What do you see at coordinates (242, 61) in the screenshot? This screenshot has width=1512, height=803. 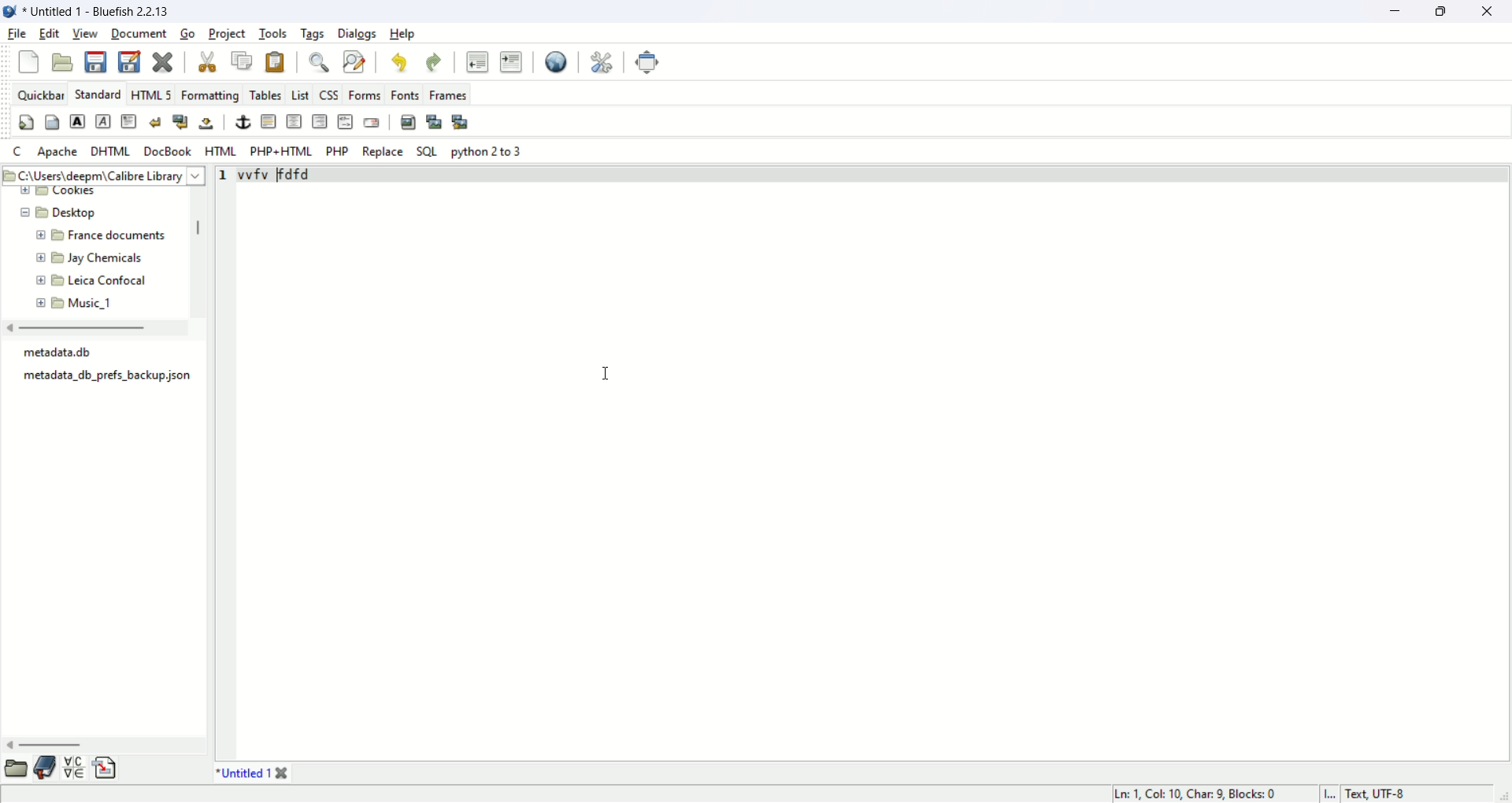 I see `copy` at bounding box center [242, 61].